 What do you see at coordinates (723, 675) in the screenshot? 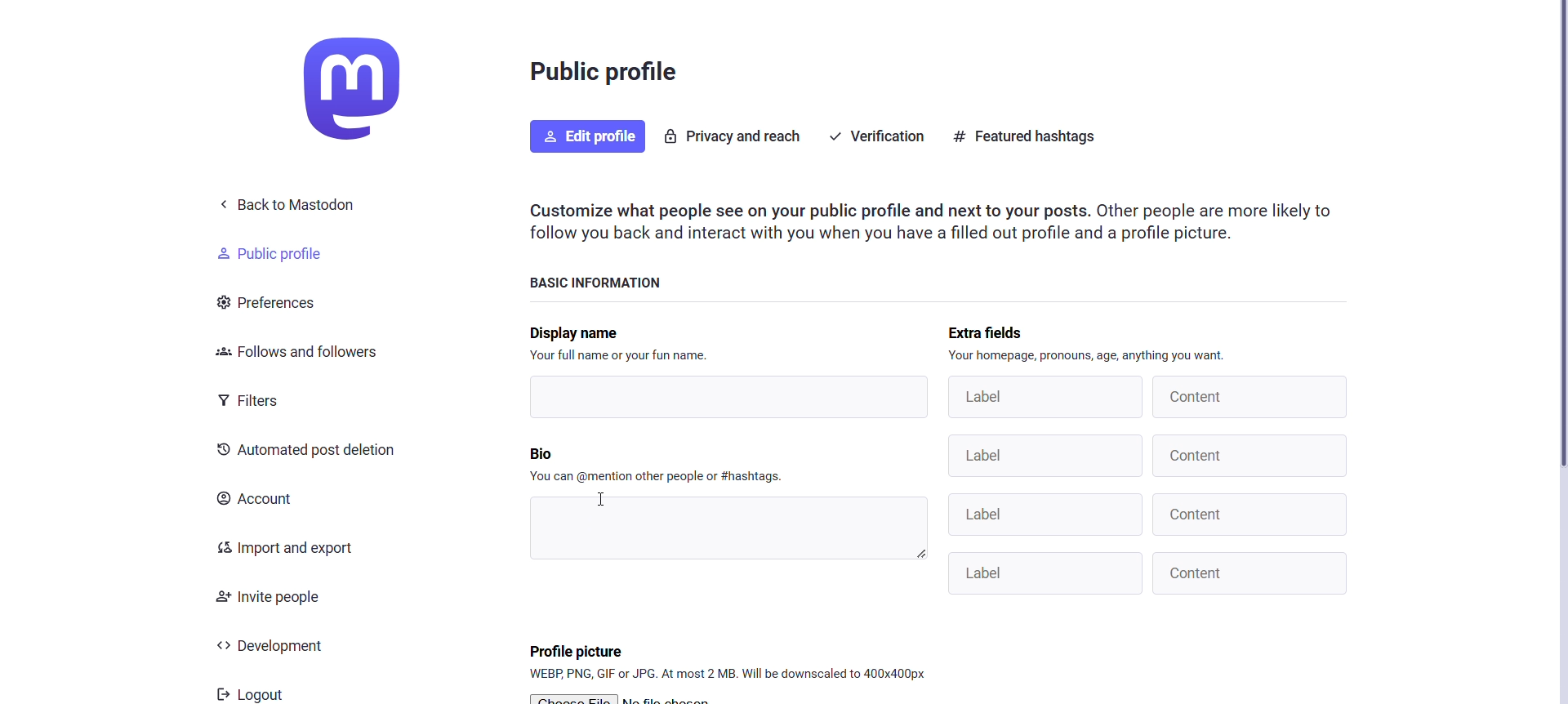
I see `WEBP, PNG, GIF or JPG. At most 2 MB. Will be downscaled to 400x400px` at bounding box center [723, 675].